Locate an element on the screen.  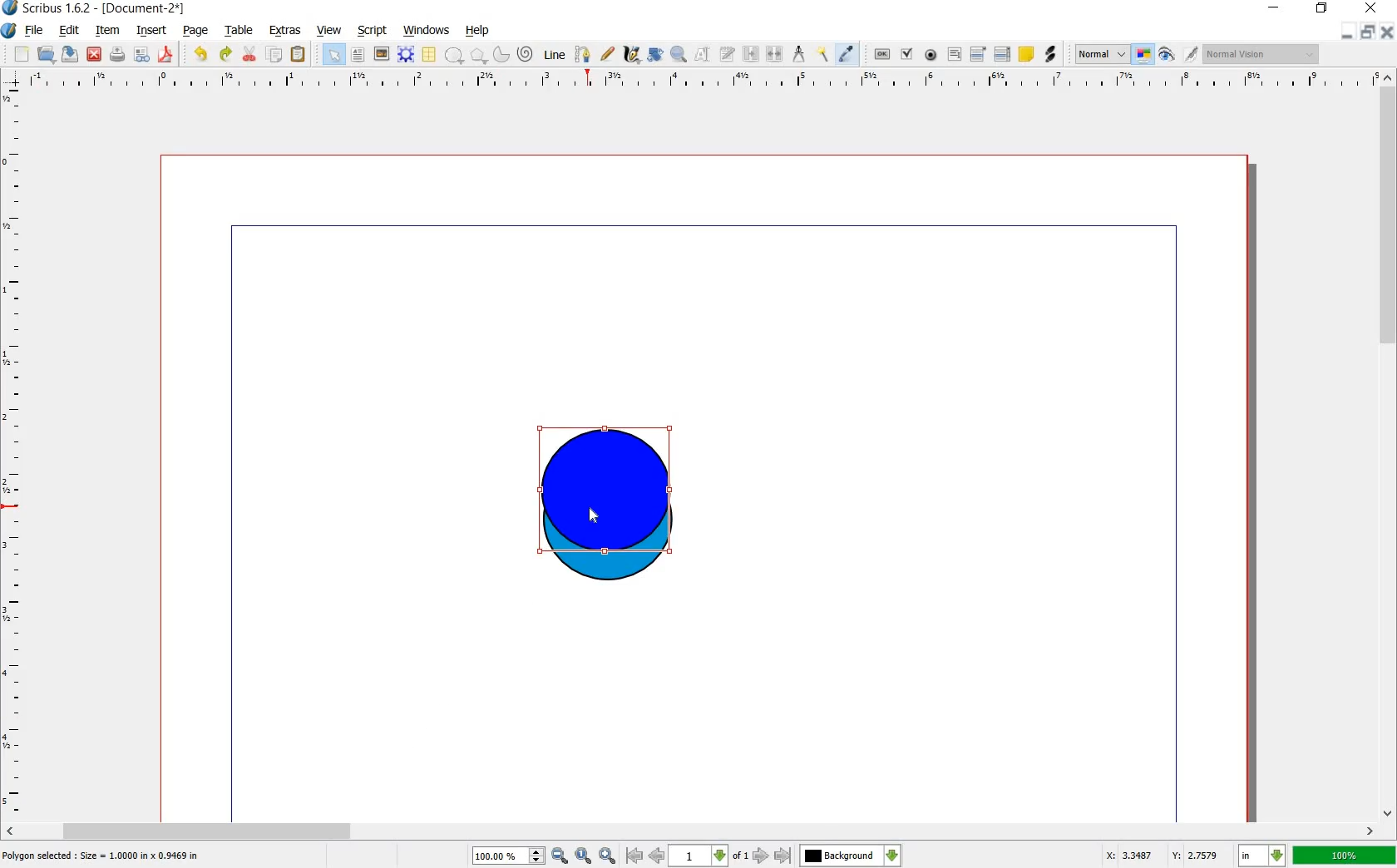
edit text with story editor is located at coordinates (728, 56).